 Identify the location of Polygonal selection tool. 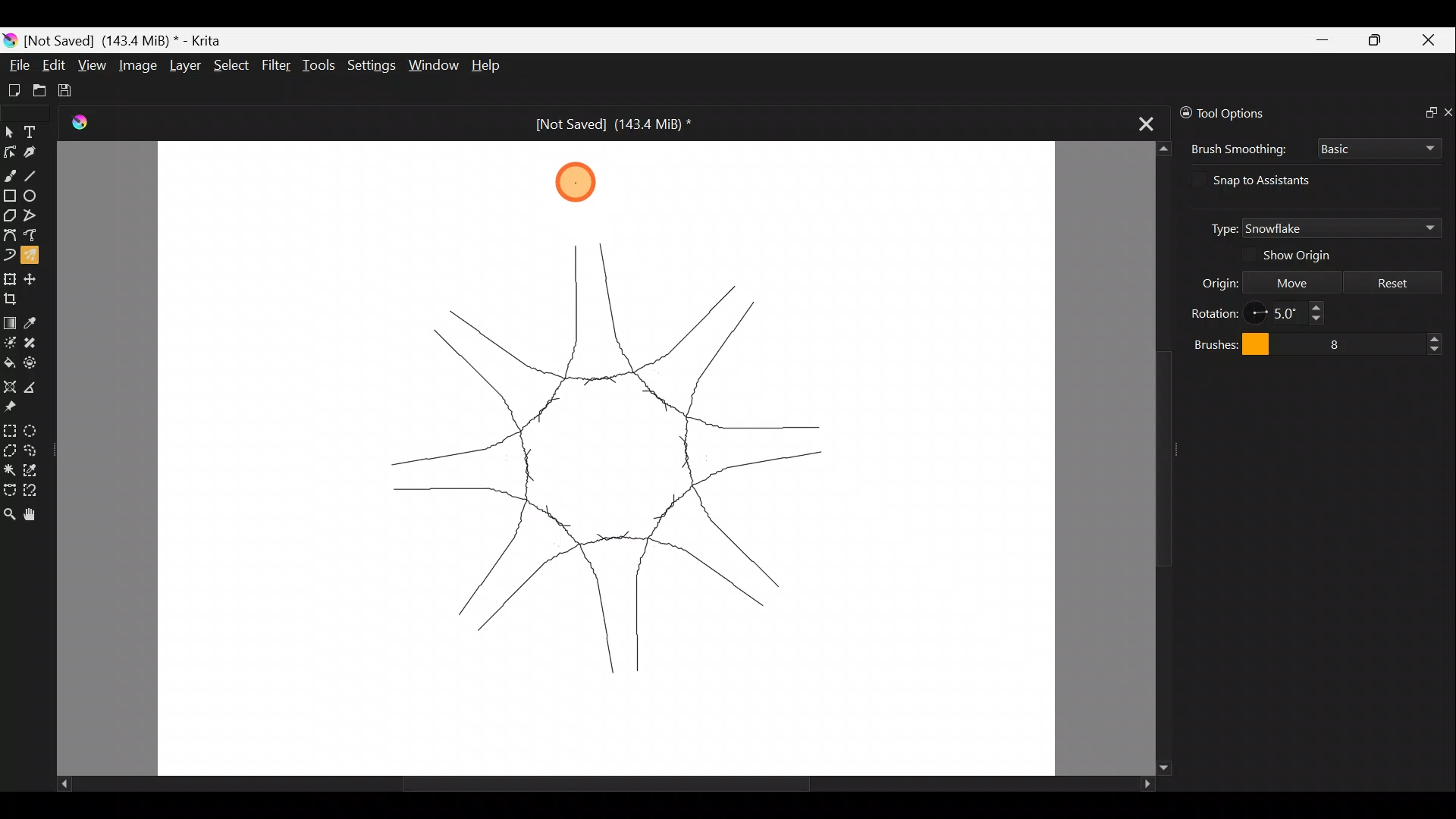
(10, 450).